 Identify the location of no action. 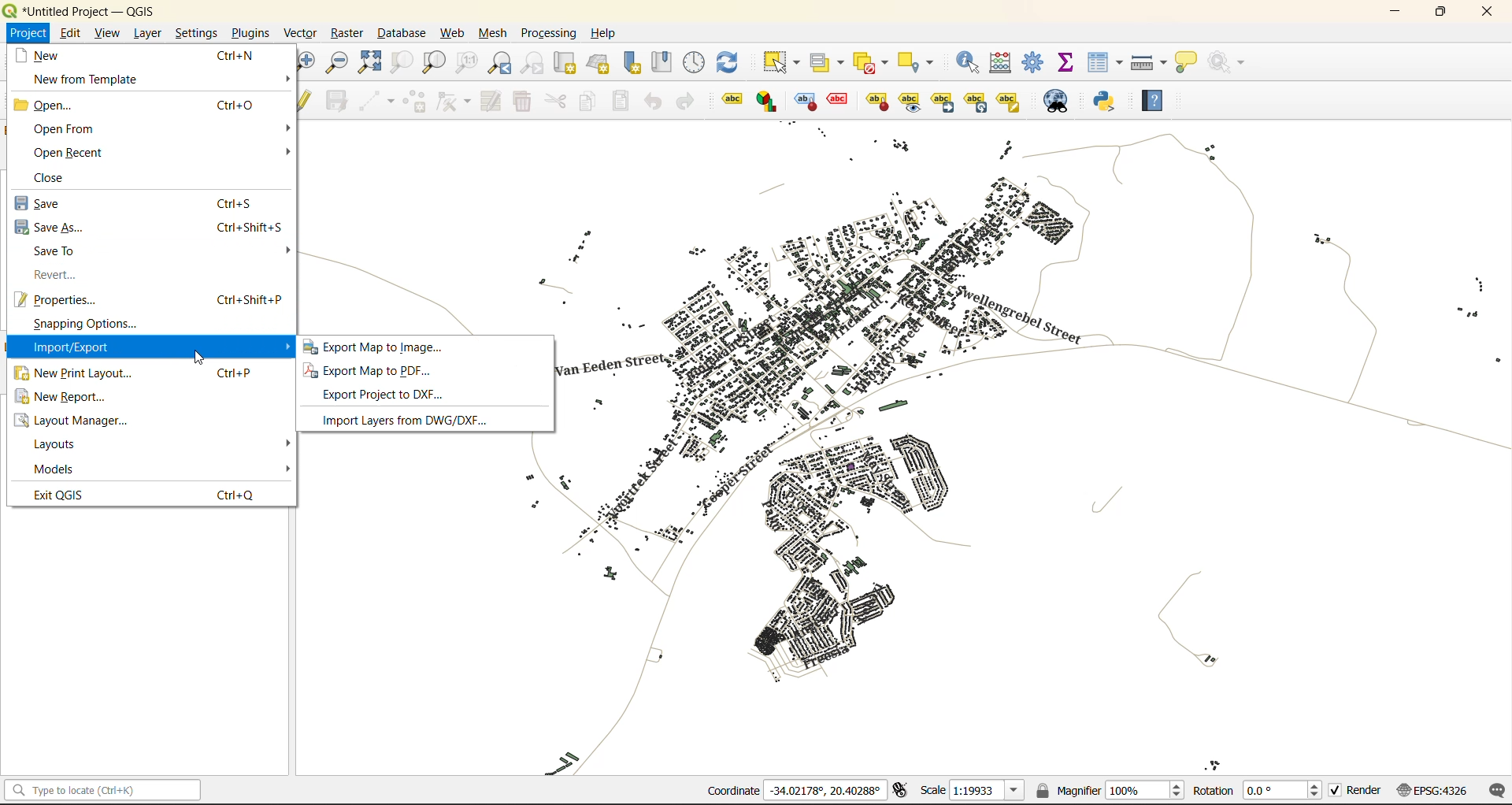
(1230, 62).